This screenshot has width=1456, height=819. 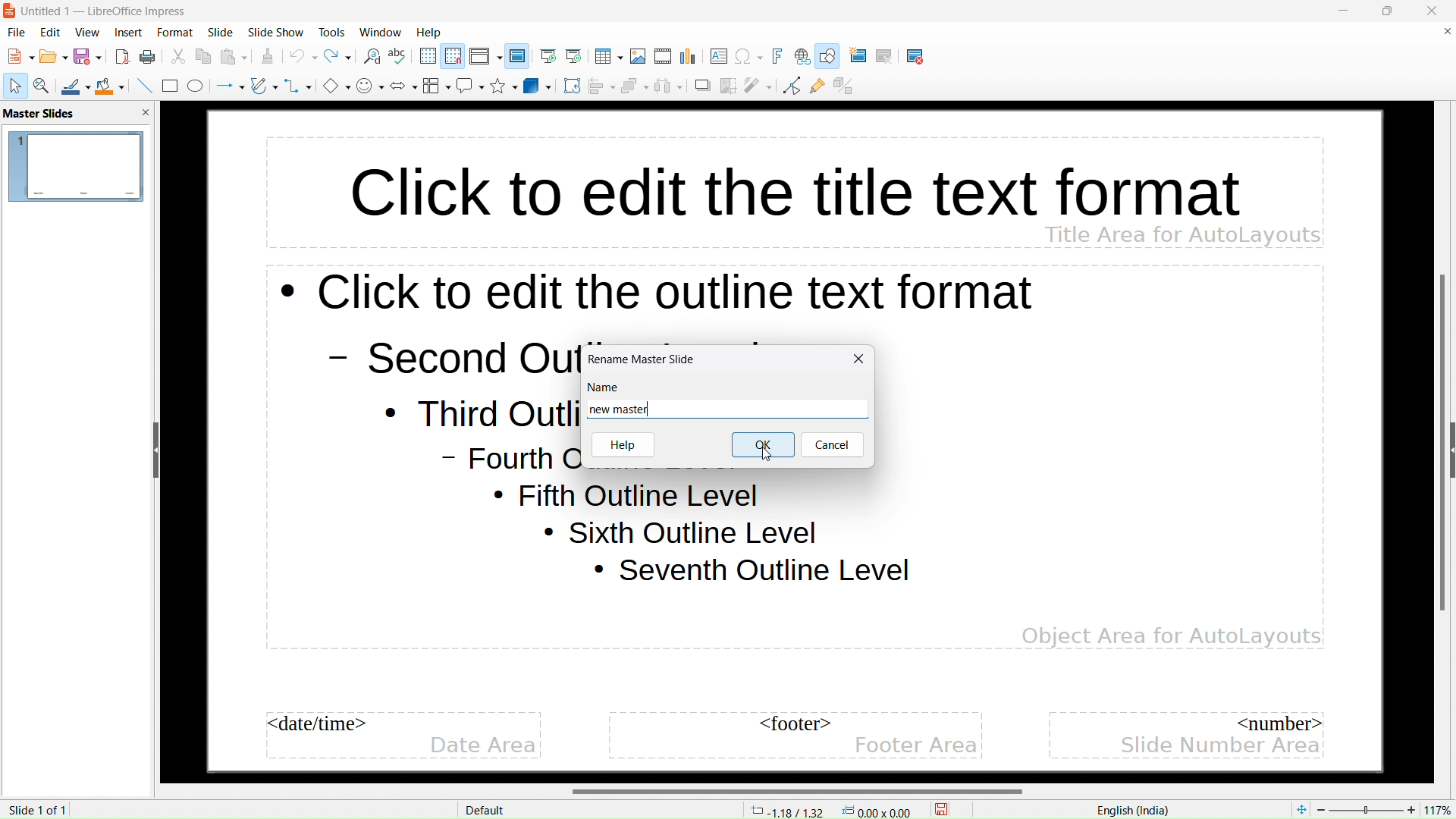 I want to click on rename master slide, so click(x=642, y=359).